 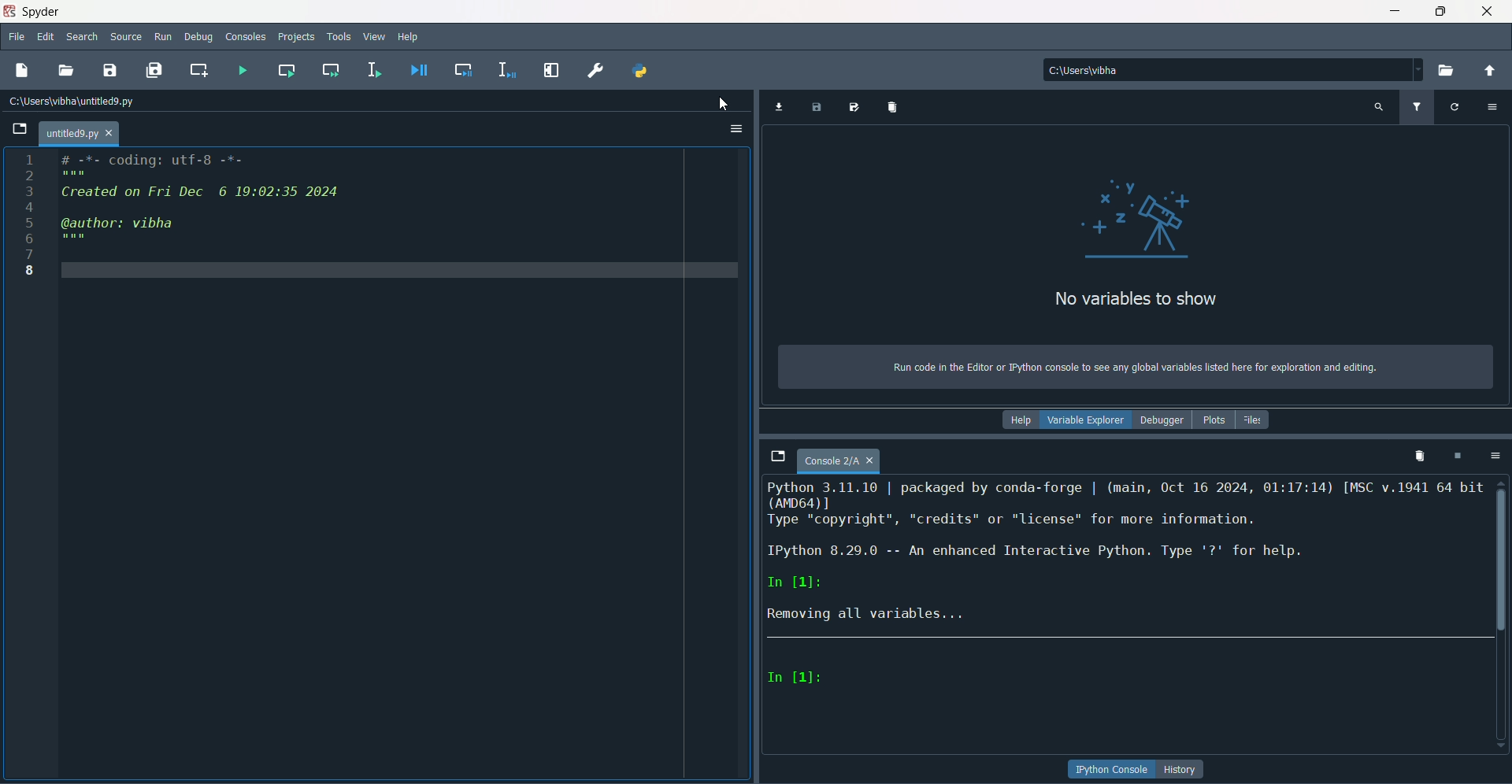 I want to click on code, so click(x=202, y=201).